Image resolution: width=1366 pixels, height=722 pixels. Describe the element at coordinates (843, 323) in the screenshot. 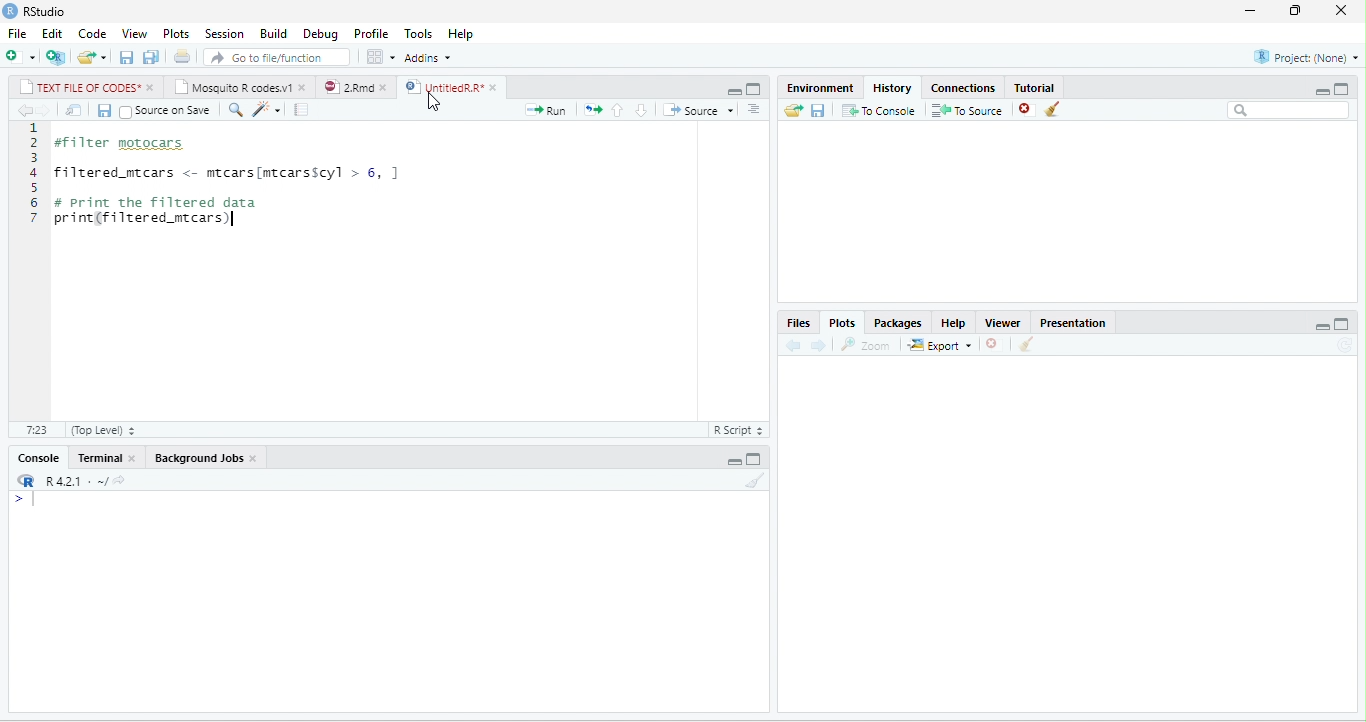

I see `Plots` at that location.